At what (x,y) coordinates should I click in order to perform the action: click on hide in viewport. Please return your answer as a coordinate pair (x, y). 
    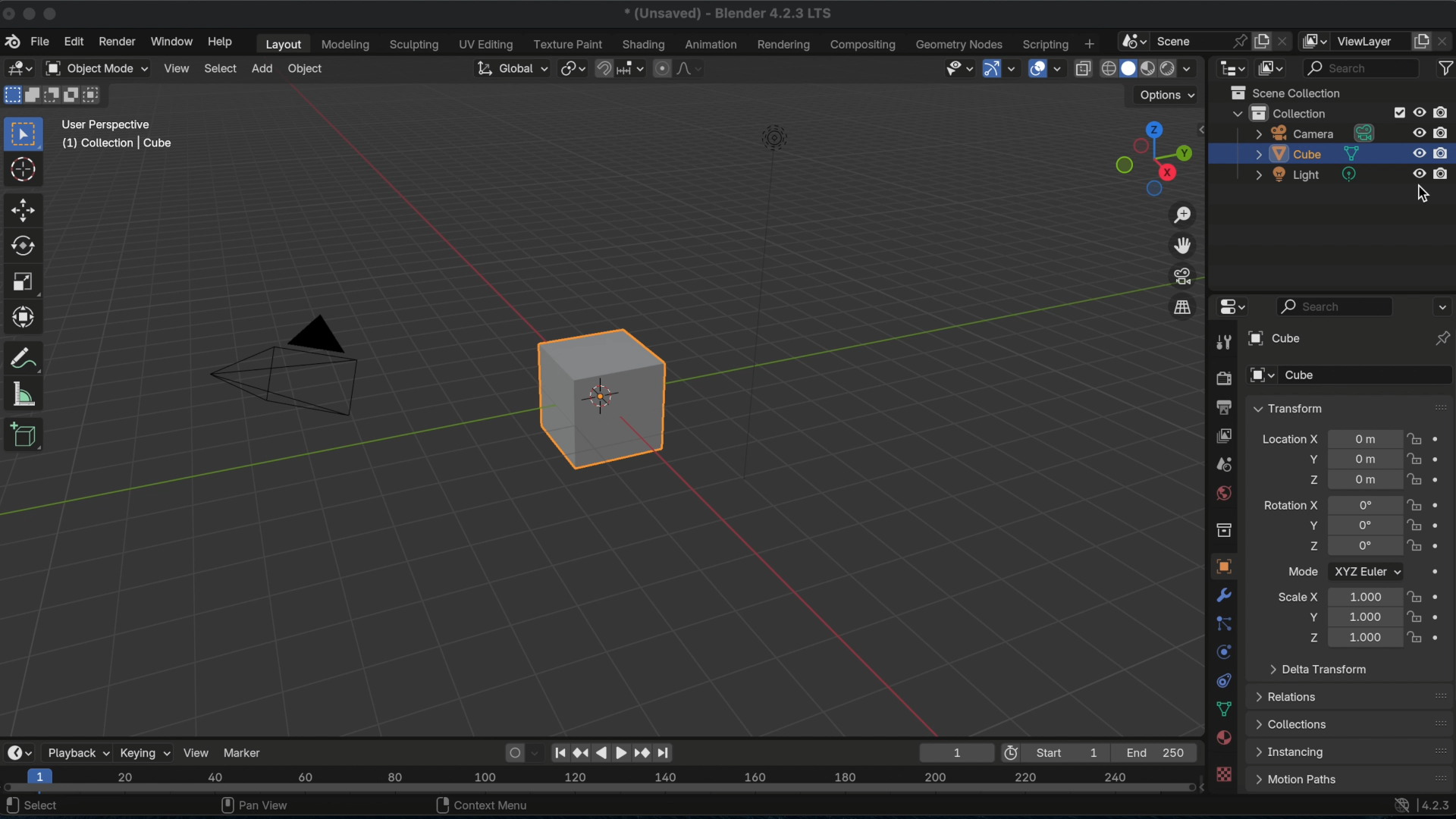
    Looking at the image, I should click on (1417, 174).